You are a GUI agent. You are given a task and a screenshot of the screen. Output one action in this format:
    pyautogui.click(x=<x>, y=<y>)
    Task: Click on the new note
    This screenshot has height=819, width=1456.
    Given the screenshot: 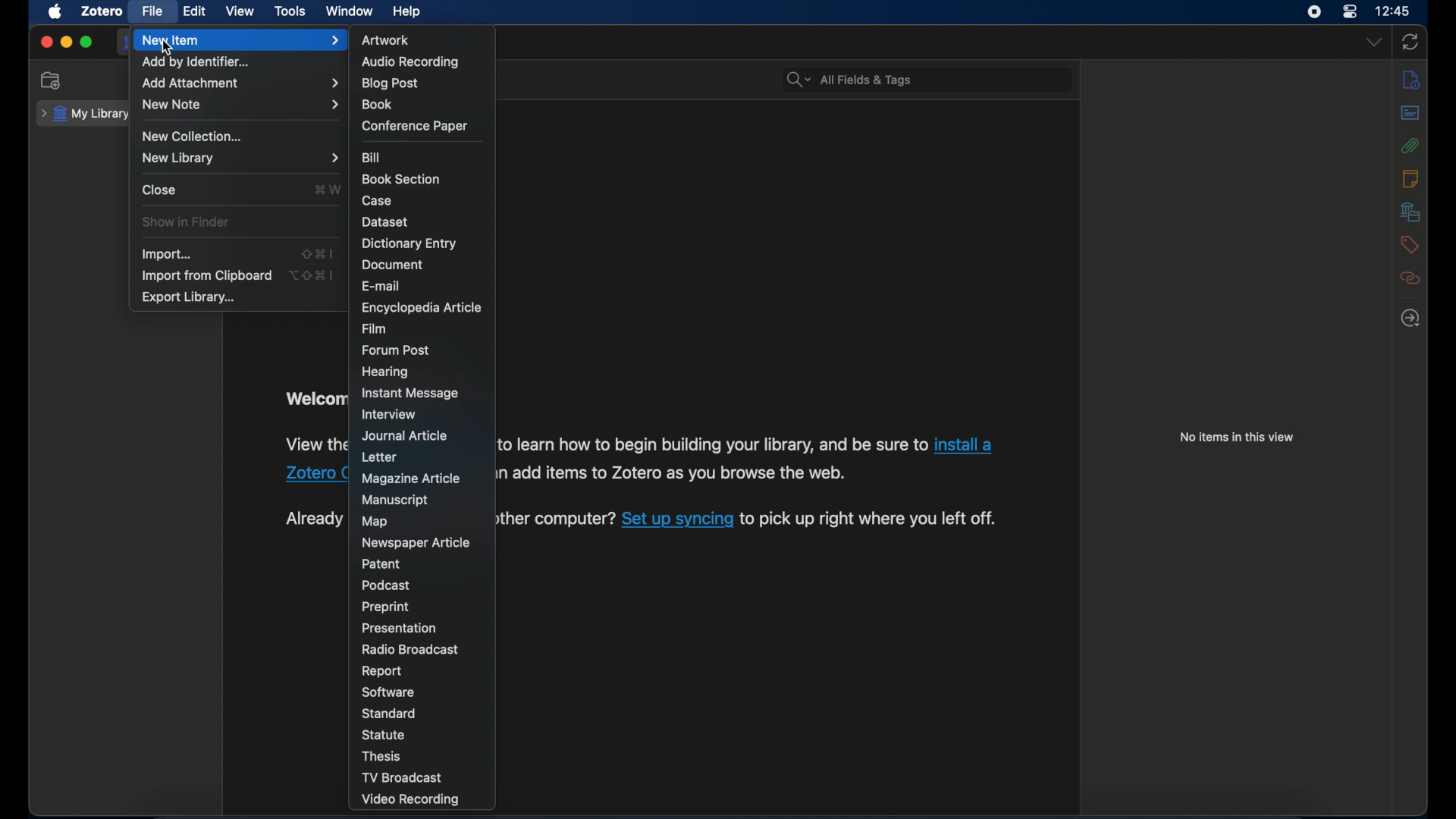 What is the action you would take?
    pyautogui.click(x=240, y=105)
    